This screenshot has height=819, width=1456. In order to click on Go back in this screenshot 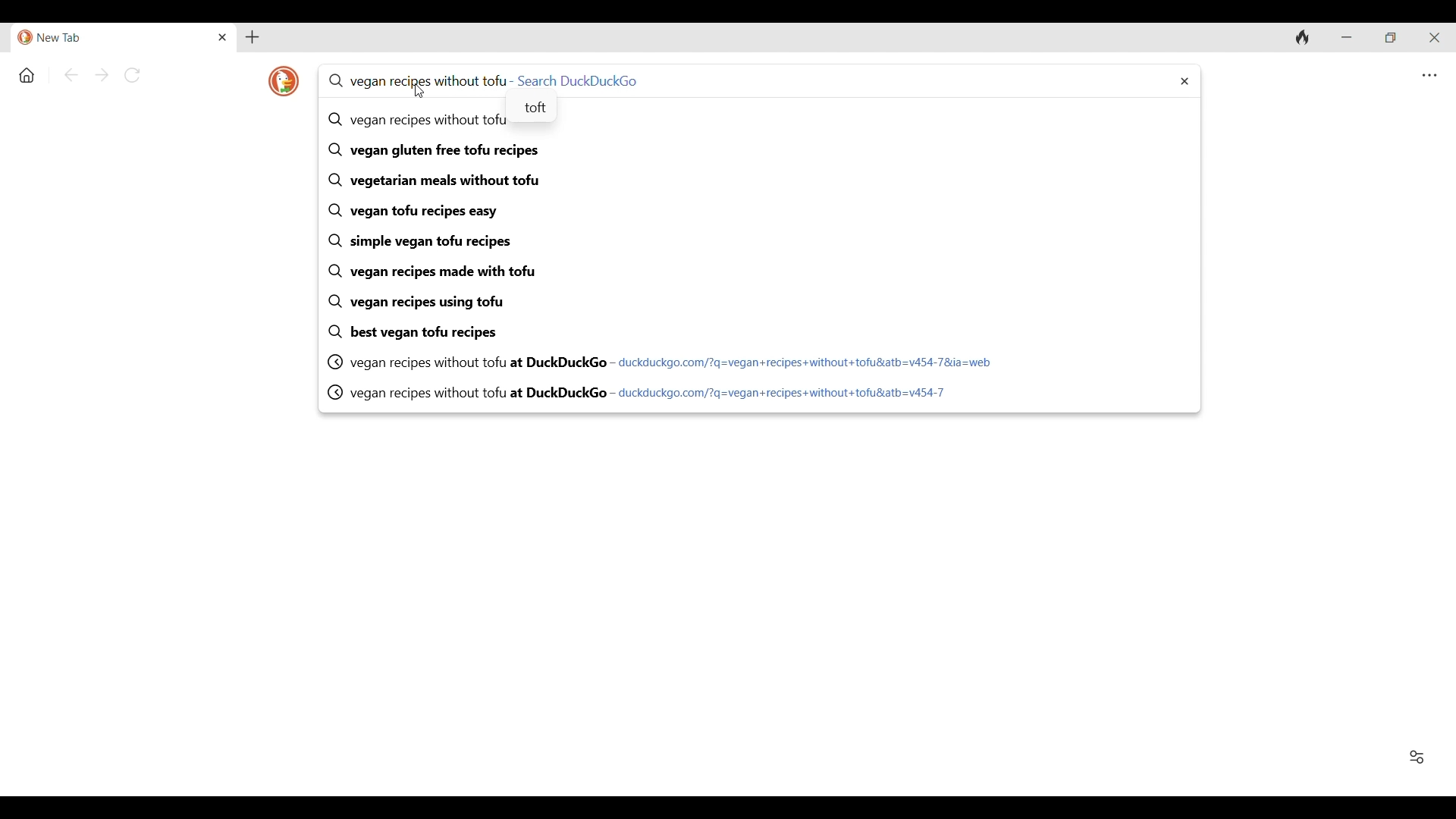, I will do `click(71, 75)`.